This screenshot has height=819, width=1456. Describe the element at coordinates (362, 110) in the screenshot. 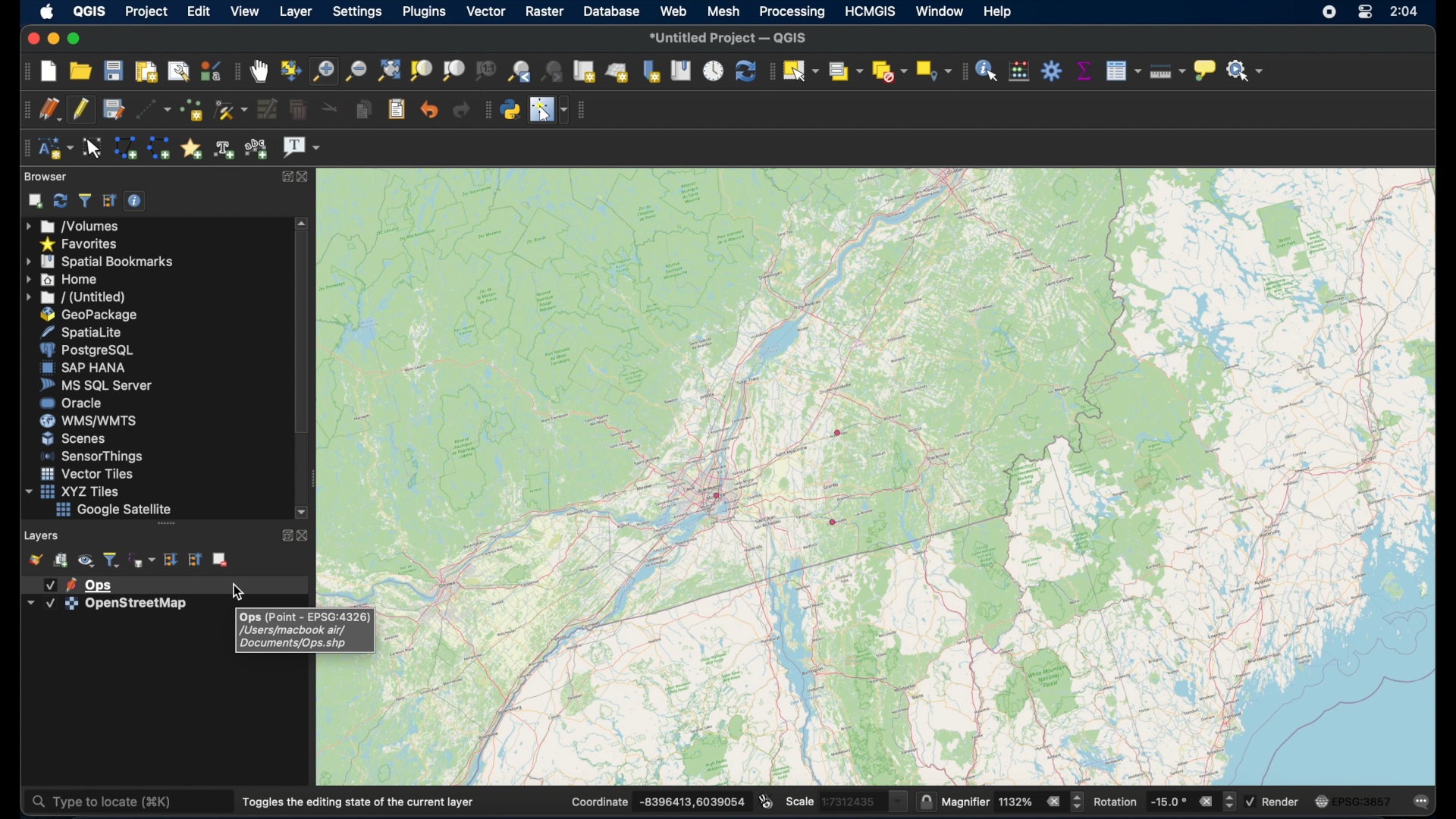

I see `copy features` at that location.